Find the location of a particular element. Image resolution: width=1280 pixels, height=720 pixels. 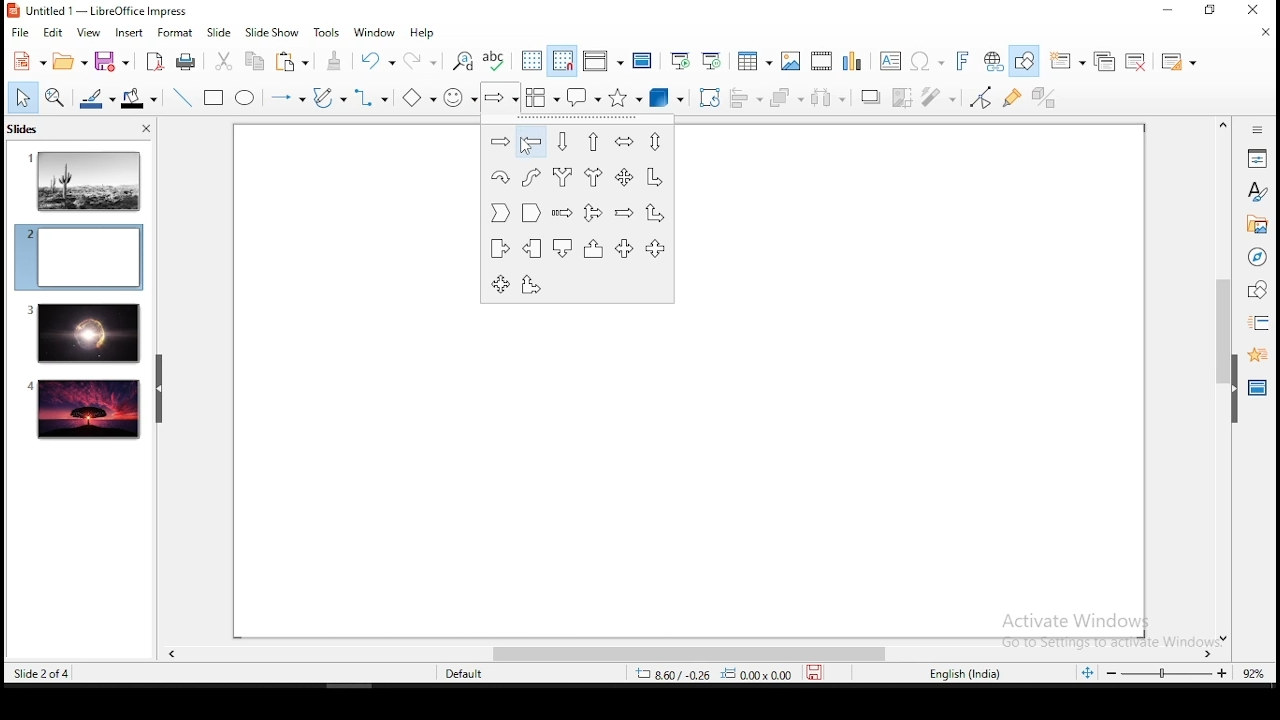

open is located at coordinates (69, 62).